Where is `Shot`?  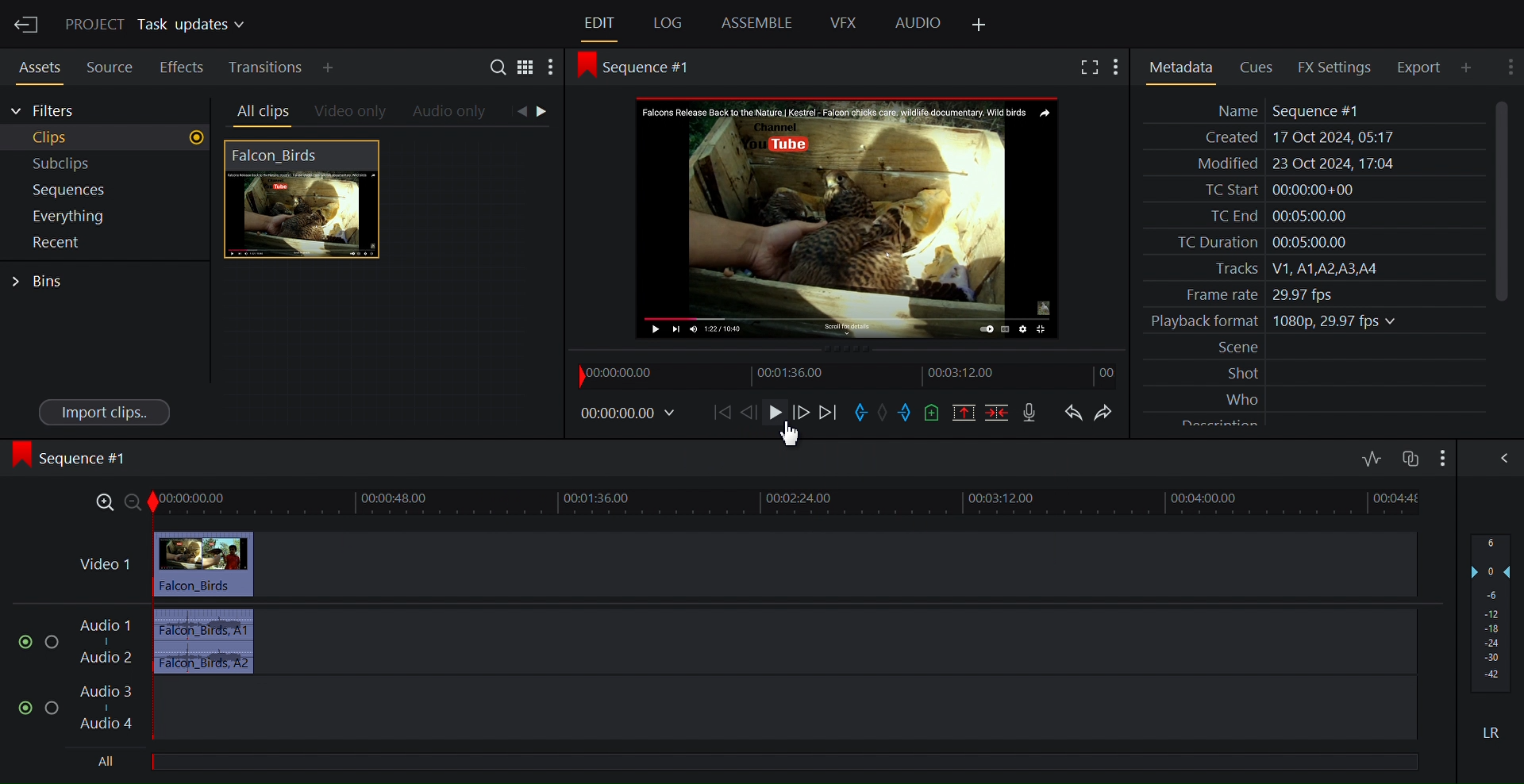
Shot is located at coordinates (1315, 372).